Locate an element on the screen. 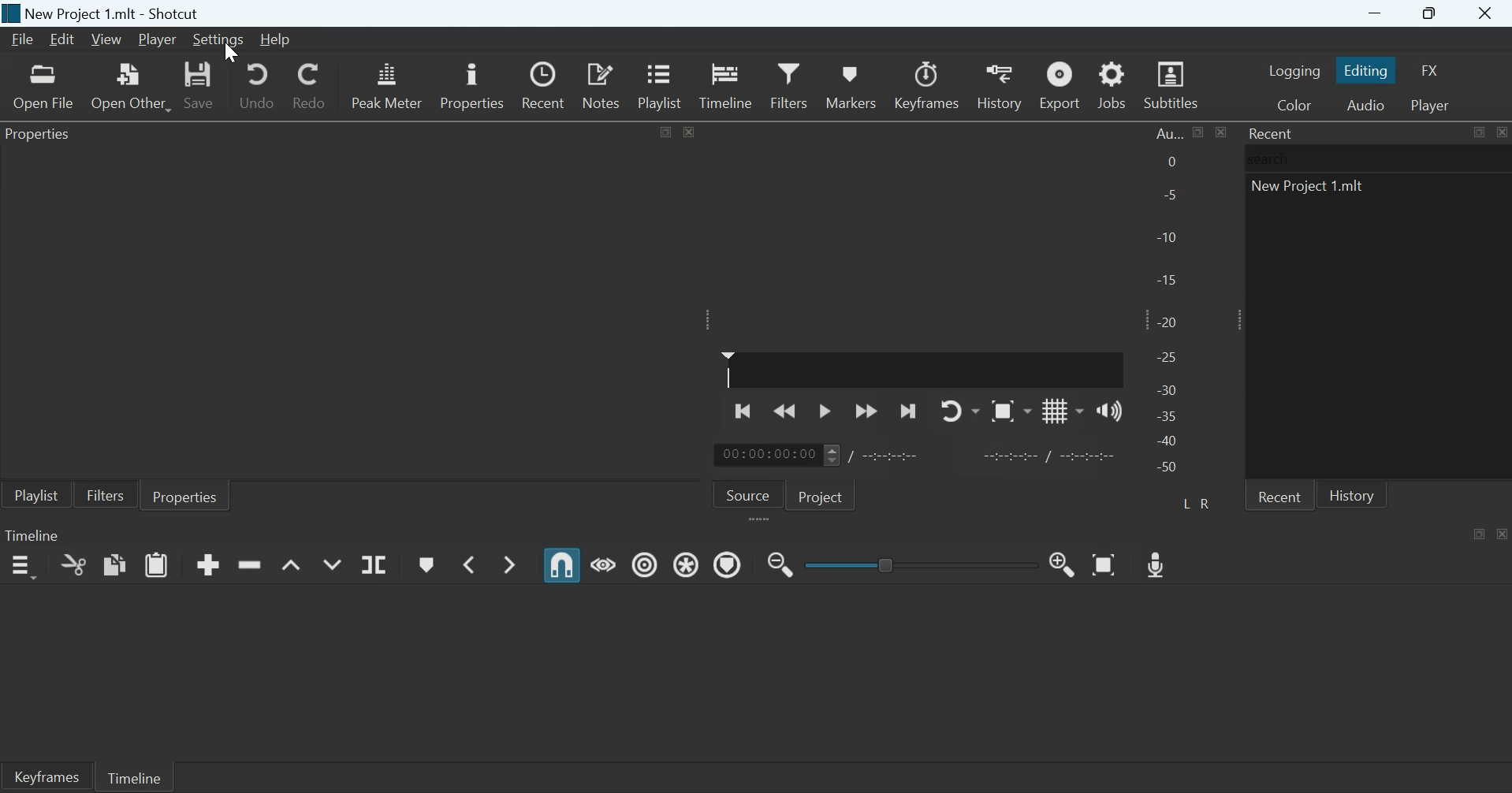  Ripple all tracks is located at coordinates (688, 563).